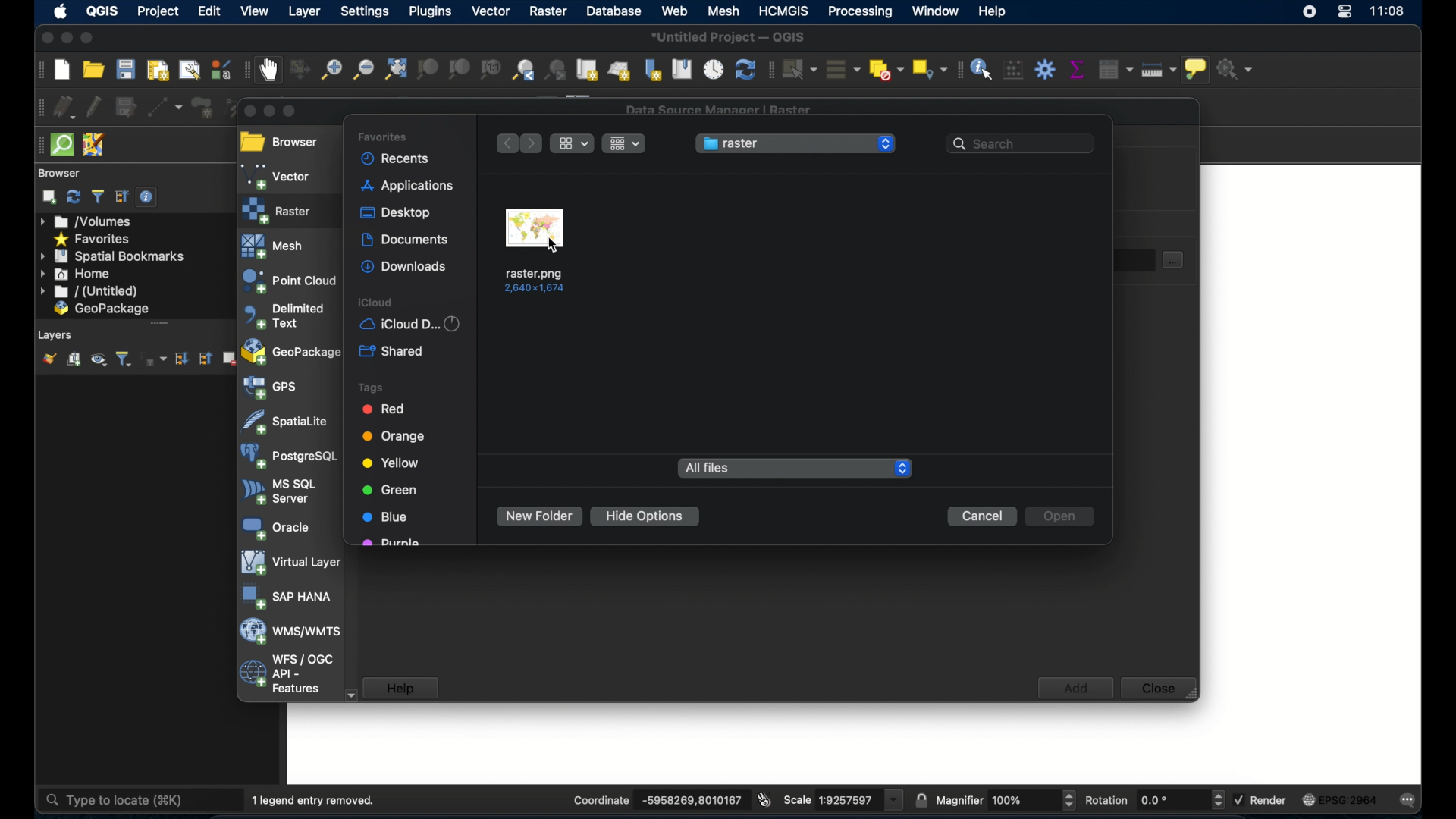  Describe the element at coordinates (87, 38) in the screenshot. I see `maximize` at that location.